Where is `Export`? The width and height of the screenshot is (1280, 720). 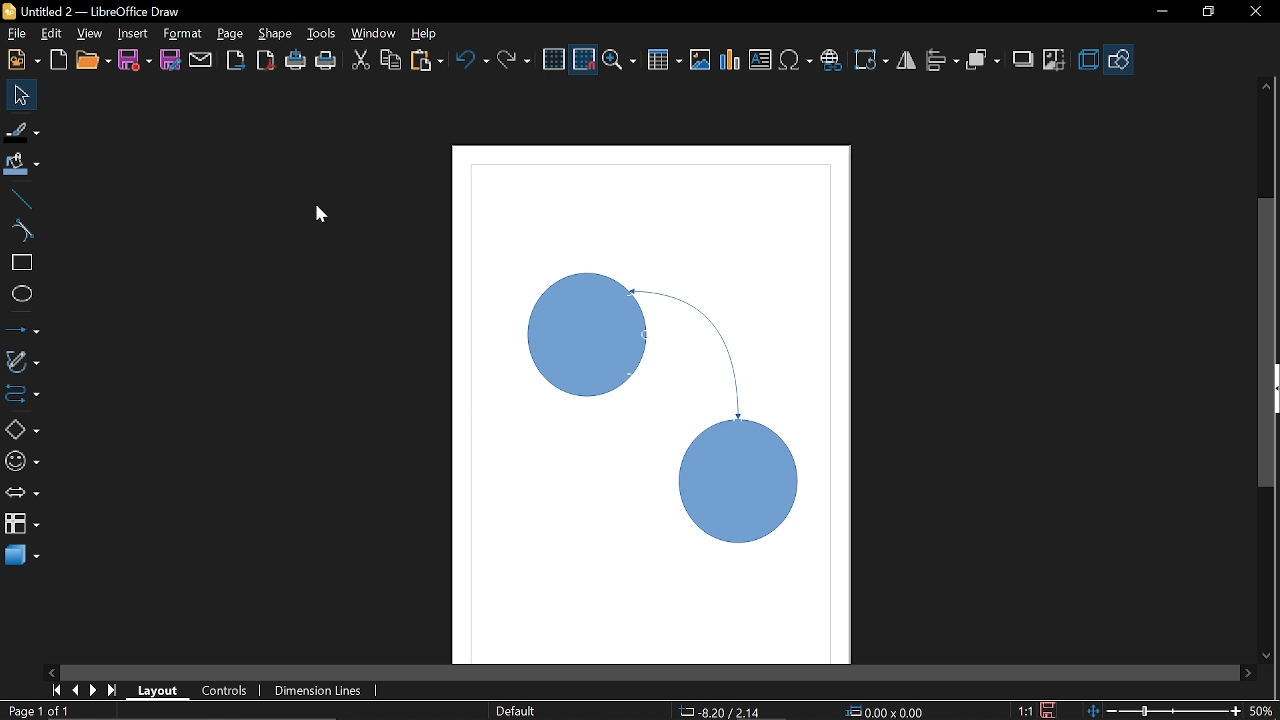 Export is located at coordinates (237, 60).